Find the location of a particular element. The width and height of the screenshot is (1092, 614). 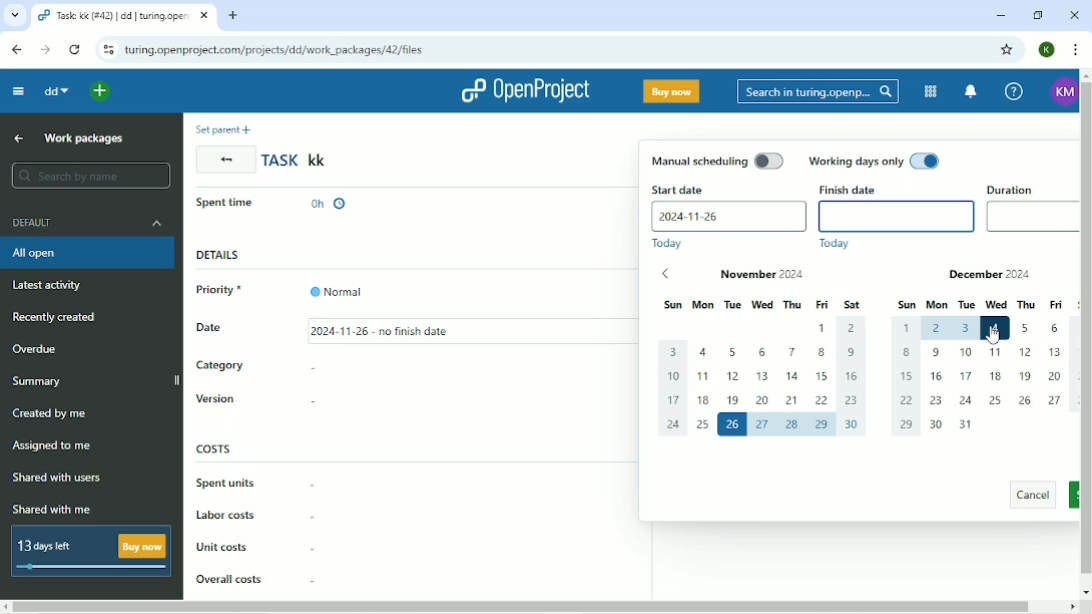

Up is located at coordinates (19, 138).